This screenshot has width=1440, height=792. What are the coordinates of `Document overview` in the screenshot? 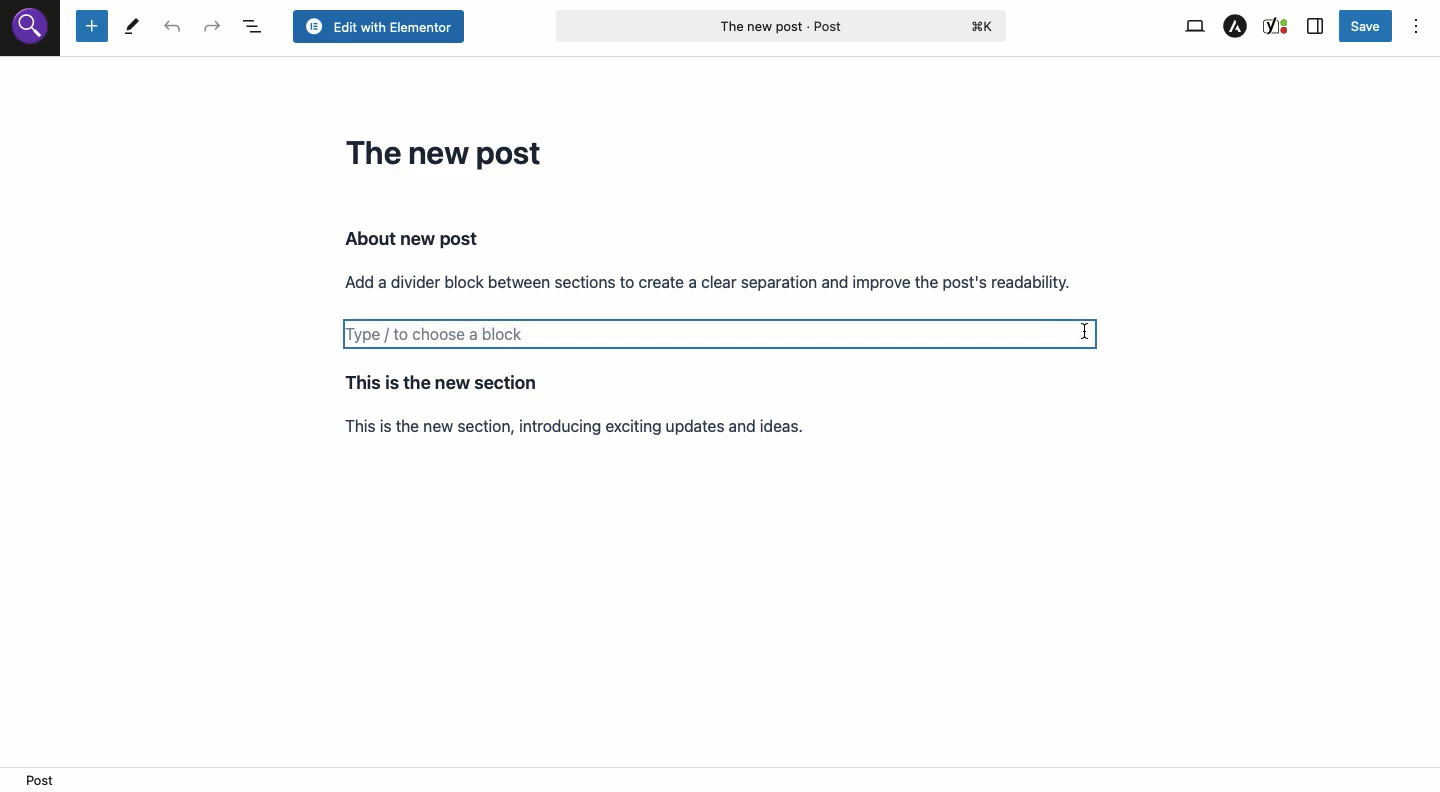 It's located at (255, 27).